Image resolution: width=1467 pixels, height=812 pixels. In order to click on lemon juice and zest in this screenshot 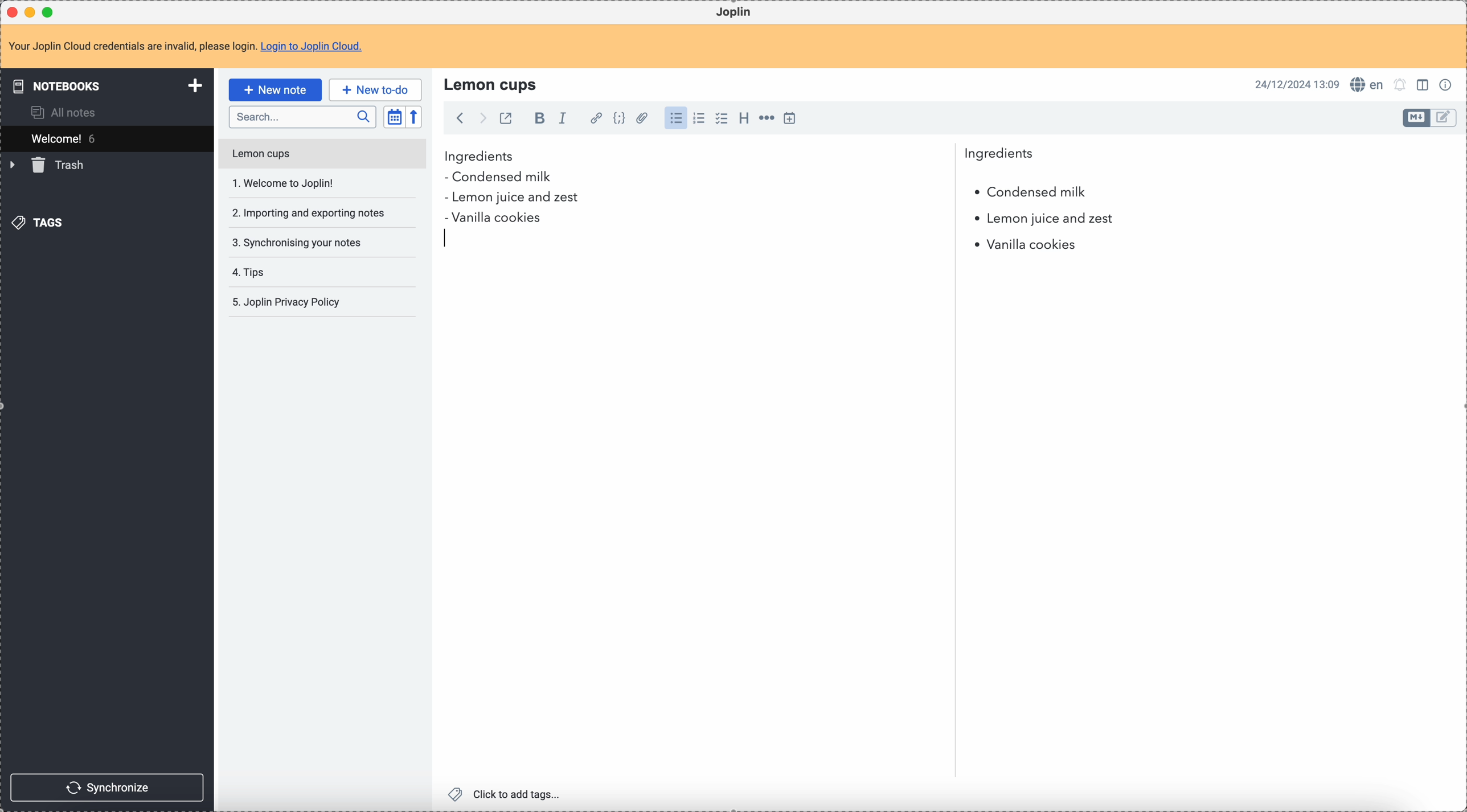, I will do `click(511, 199)`.